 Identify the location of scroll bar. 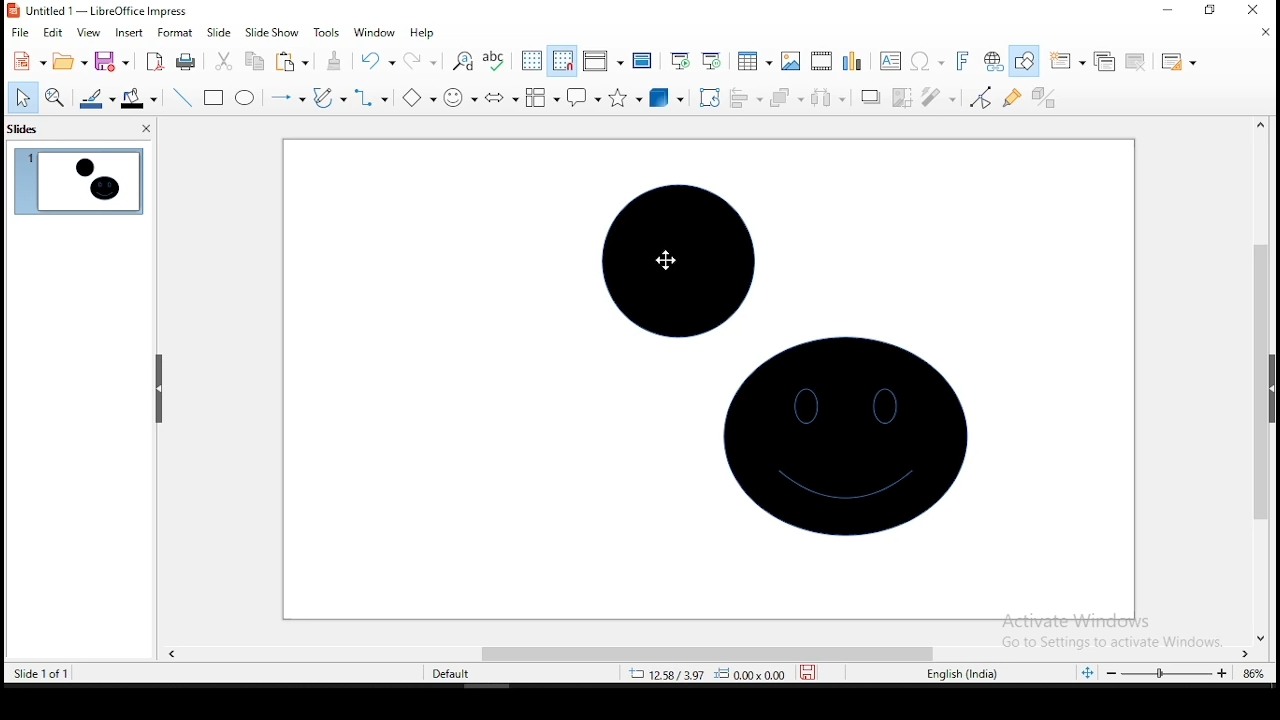
(1267, 379).